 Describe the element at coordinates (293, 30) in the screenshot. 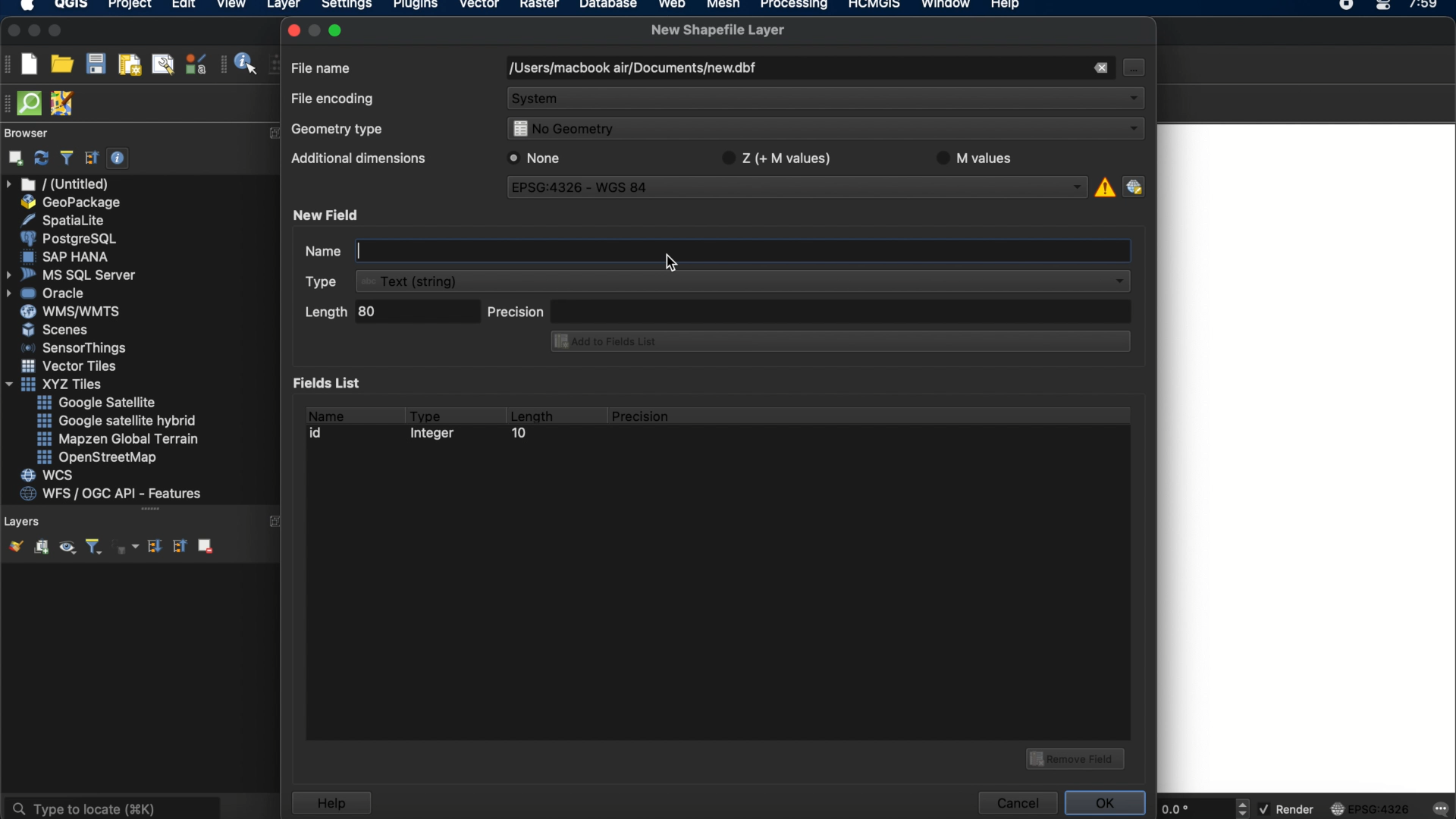

I see `close` at that location.